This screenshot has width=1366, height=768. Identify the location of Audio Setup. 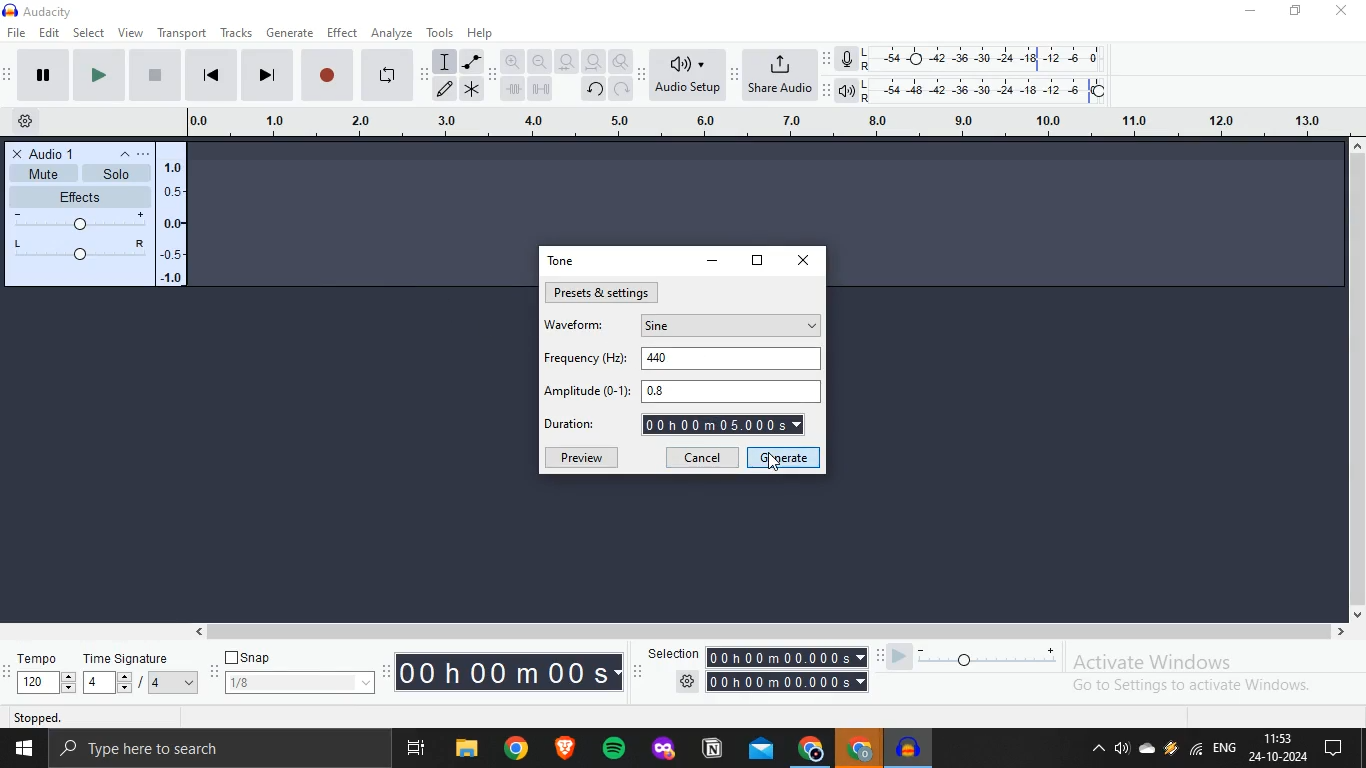
(687, 72).